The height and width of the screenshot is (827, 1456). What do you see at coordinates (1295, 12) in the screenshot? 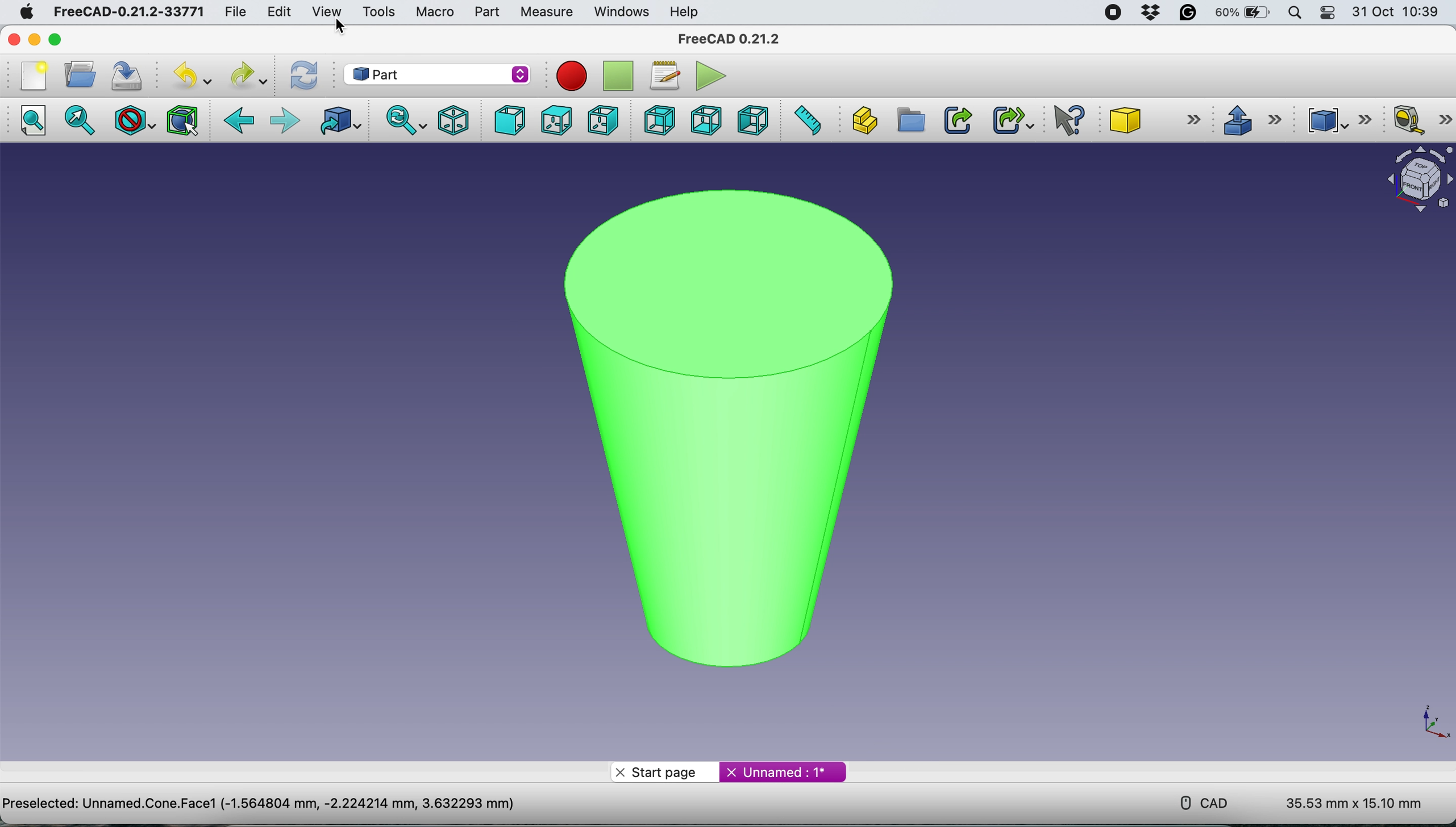
I see `spotlight search` at bounding box center [1295, 12].